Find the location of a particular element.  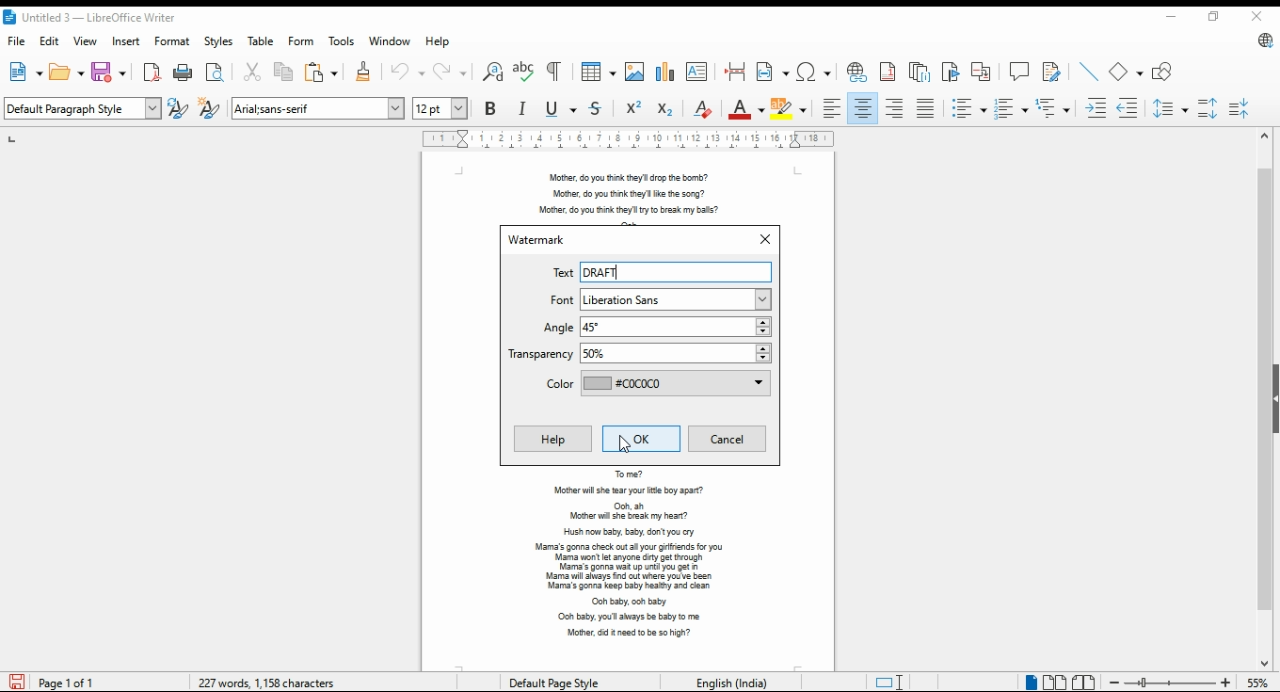

select paragraph style is located at coordinates (84, 108).